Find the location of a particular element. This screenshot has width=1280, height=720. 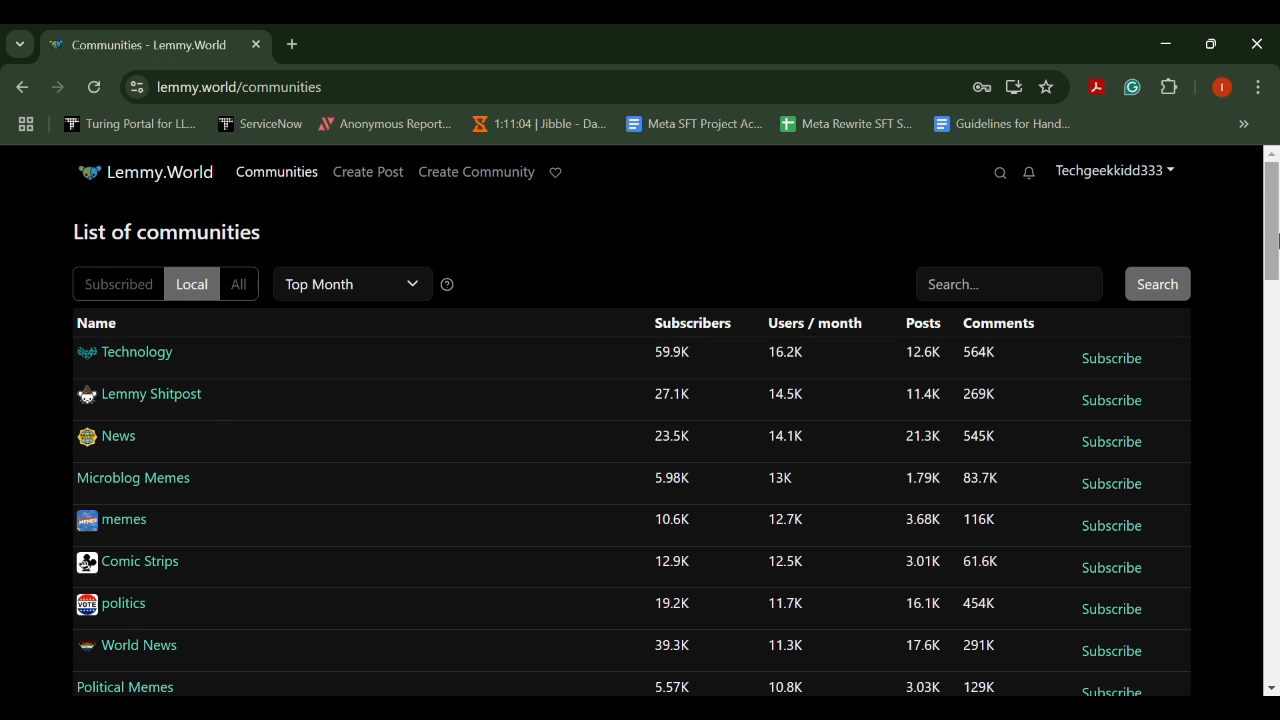

All Filter Unselected is located at coordinates (240, 282).